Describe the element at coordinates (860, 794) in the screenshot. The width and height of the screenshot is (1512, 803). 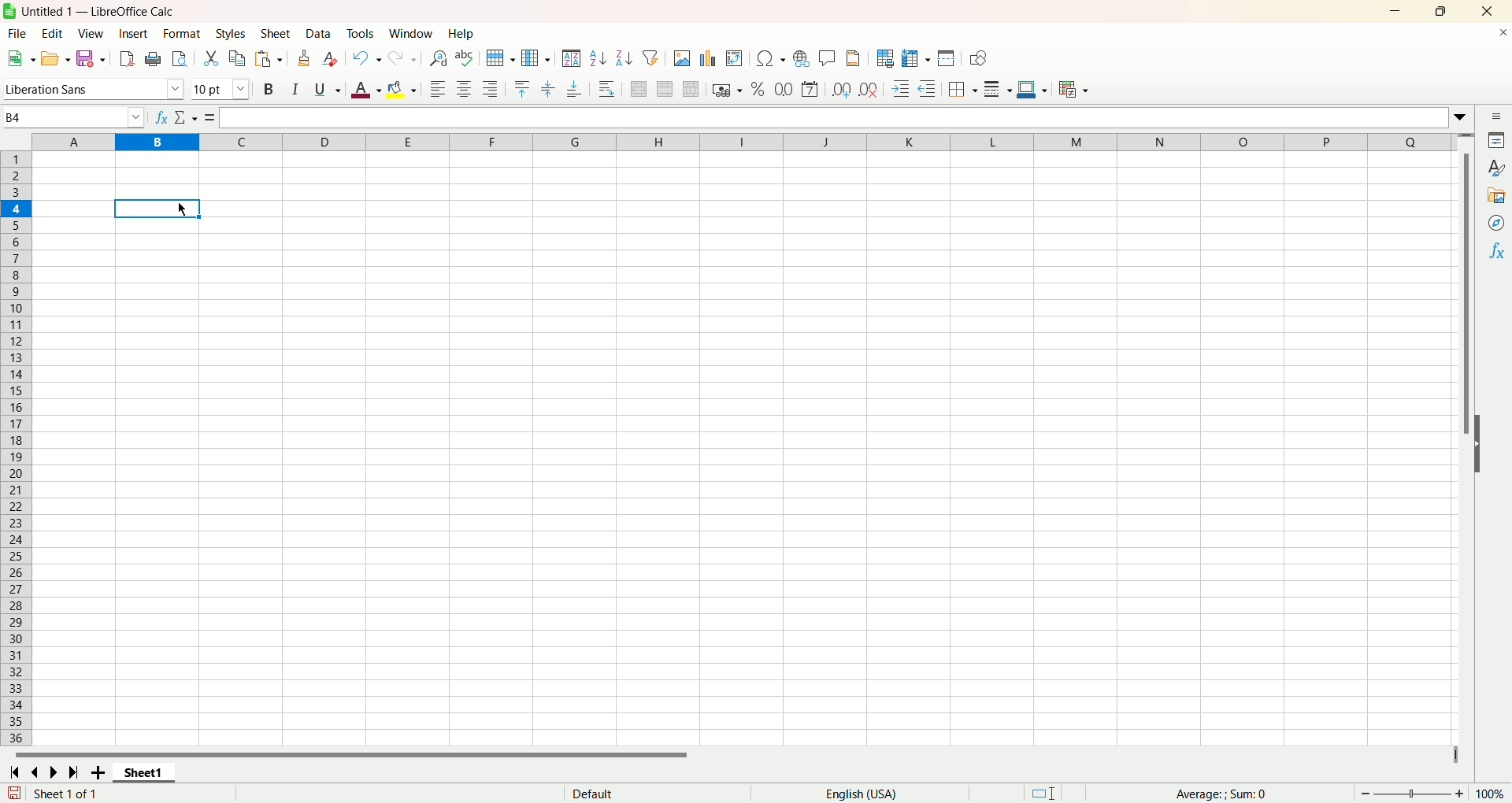
I see `text language` at that location.